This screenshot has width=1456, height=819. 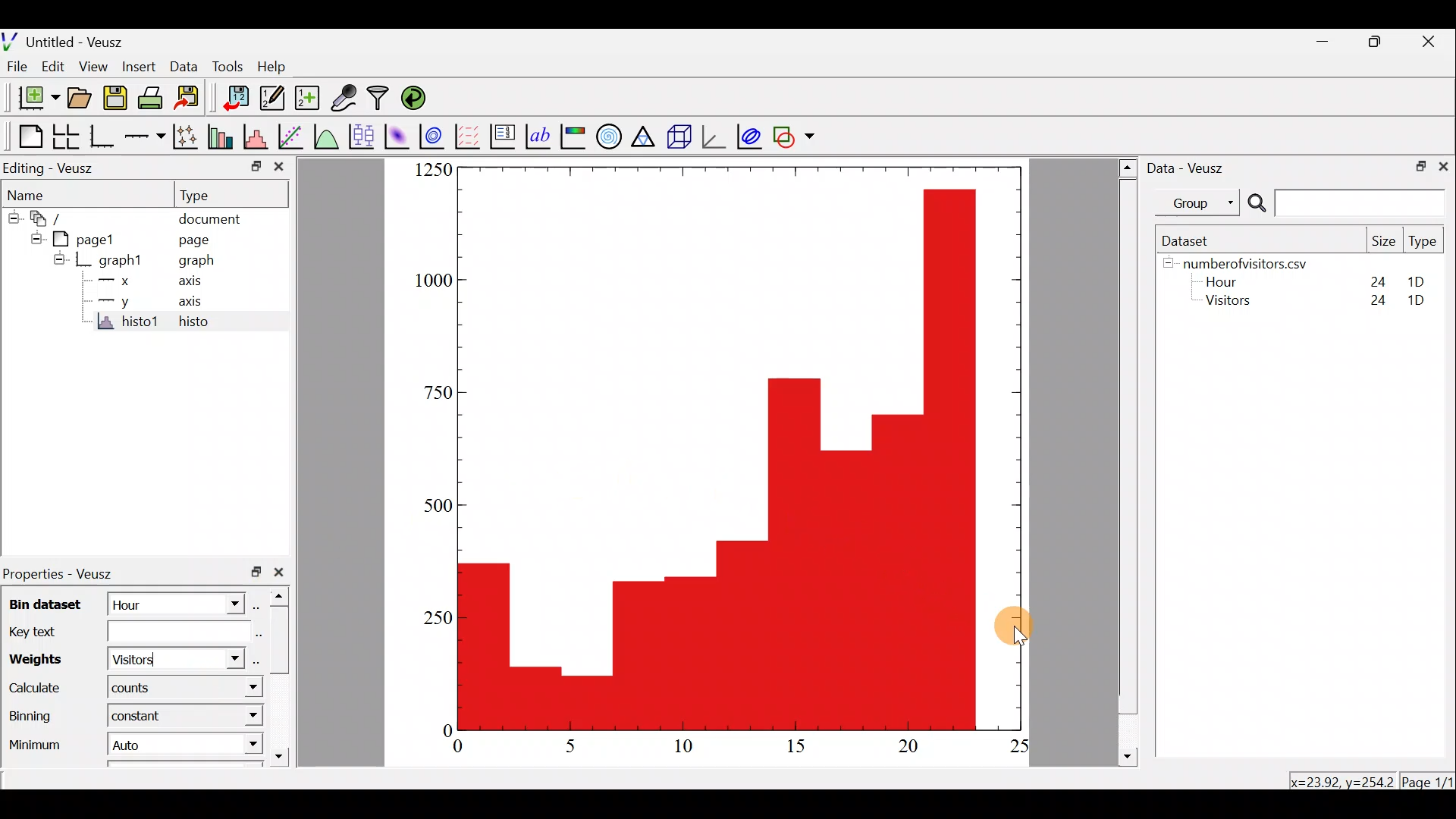 What do you see at coordinates (433, 507) in the screenshot?
I see `500` at bounding box center [433, 507].